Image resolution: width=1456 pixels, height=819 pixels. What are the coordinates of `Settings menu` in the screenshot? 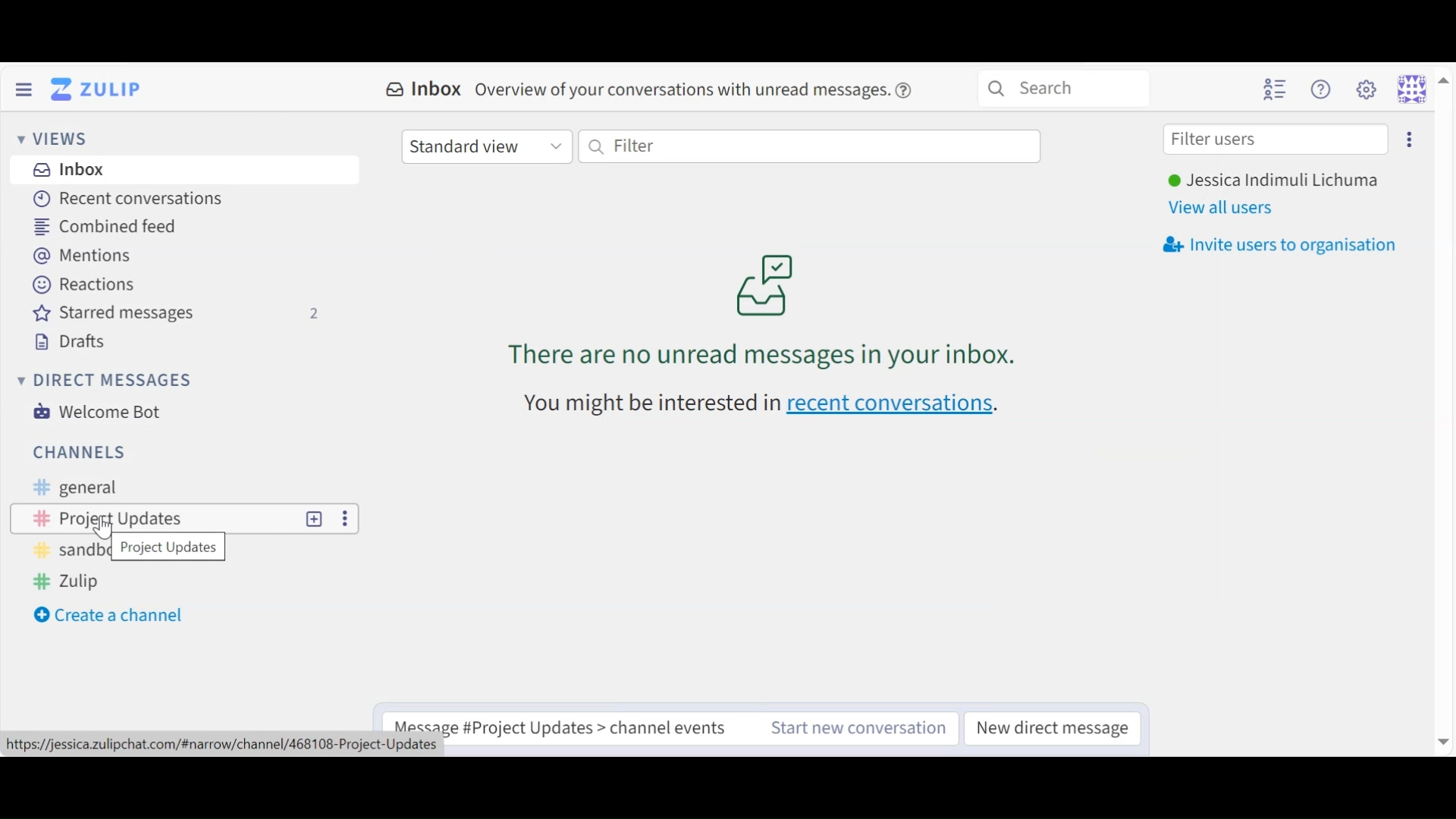 It's located at (1366, 88).